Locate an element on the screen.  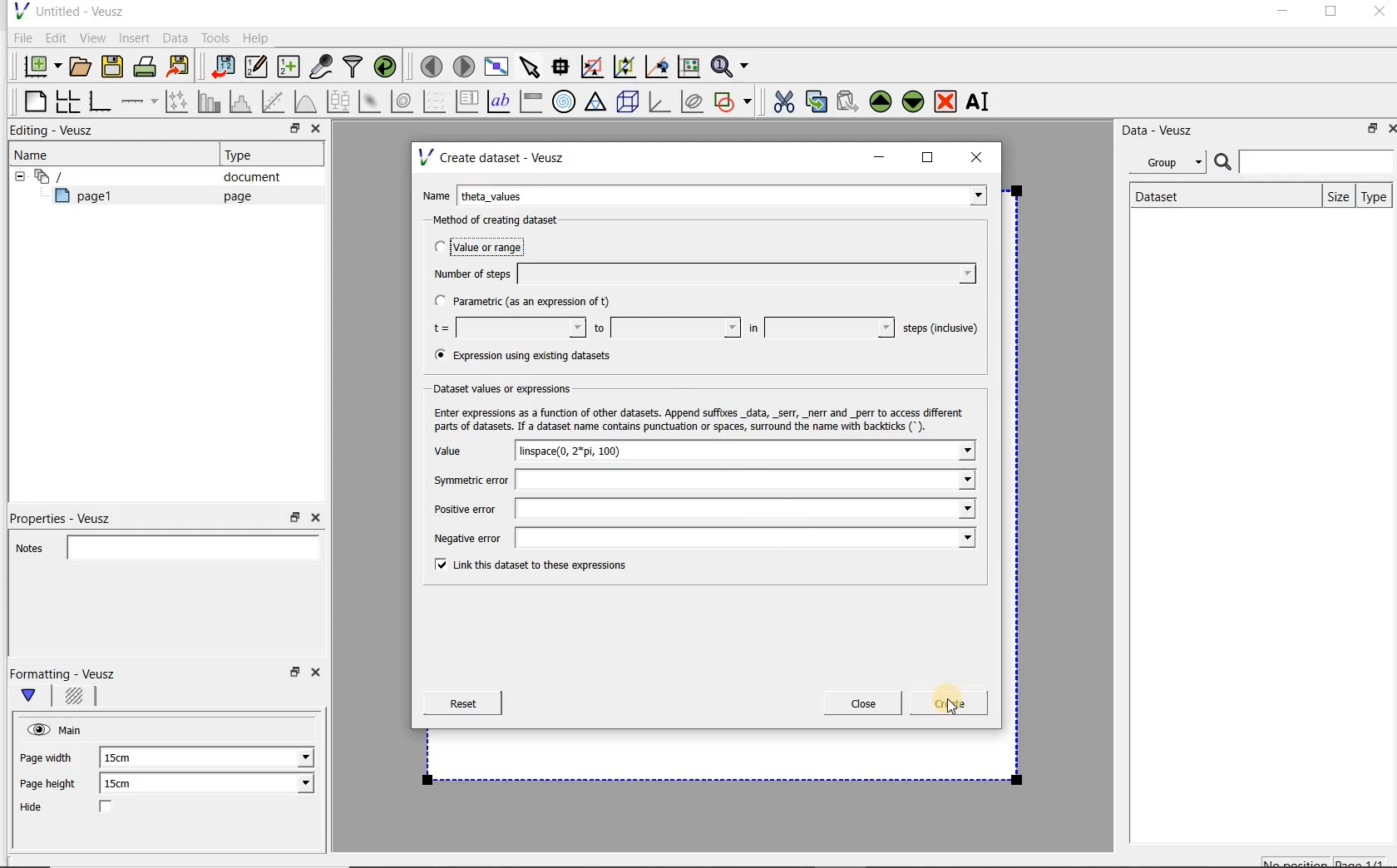
Value or range is located at coordinates (493, 244).